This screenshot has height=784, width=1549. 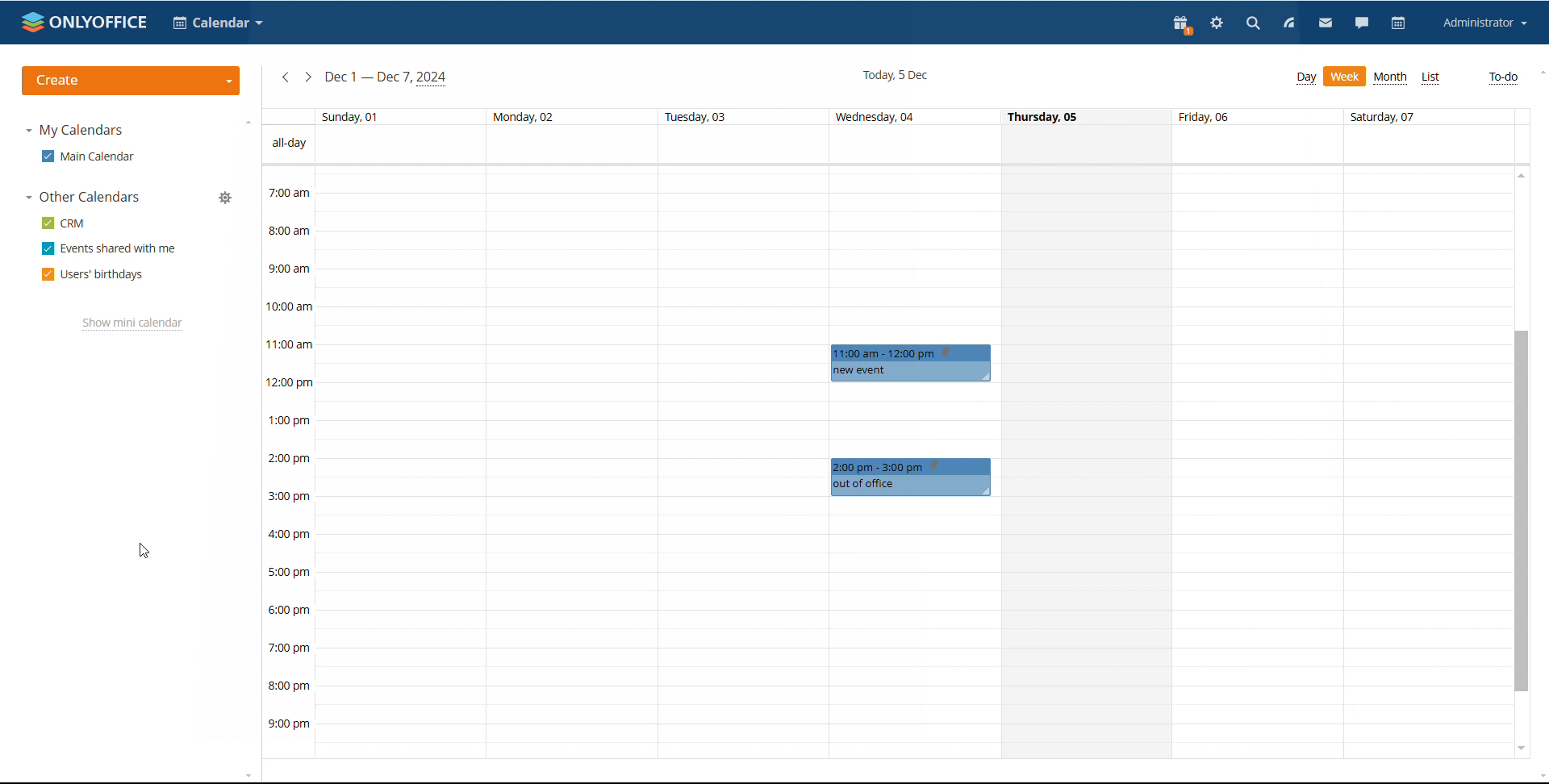 What do you see at coordinates (289, 462) in the screenshot?
I see `timeline` at bounding box center [289, 462].